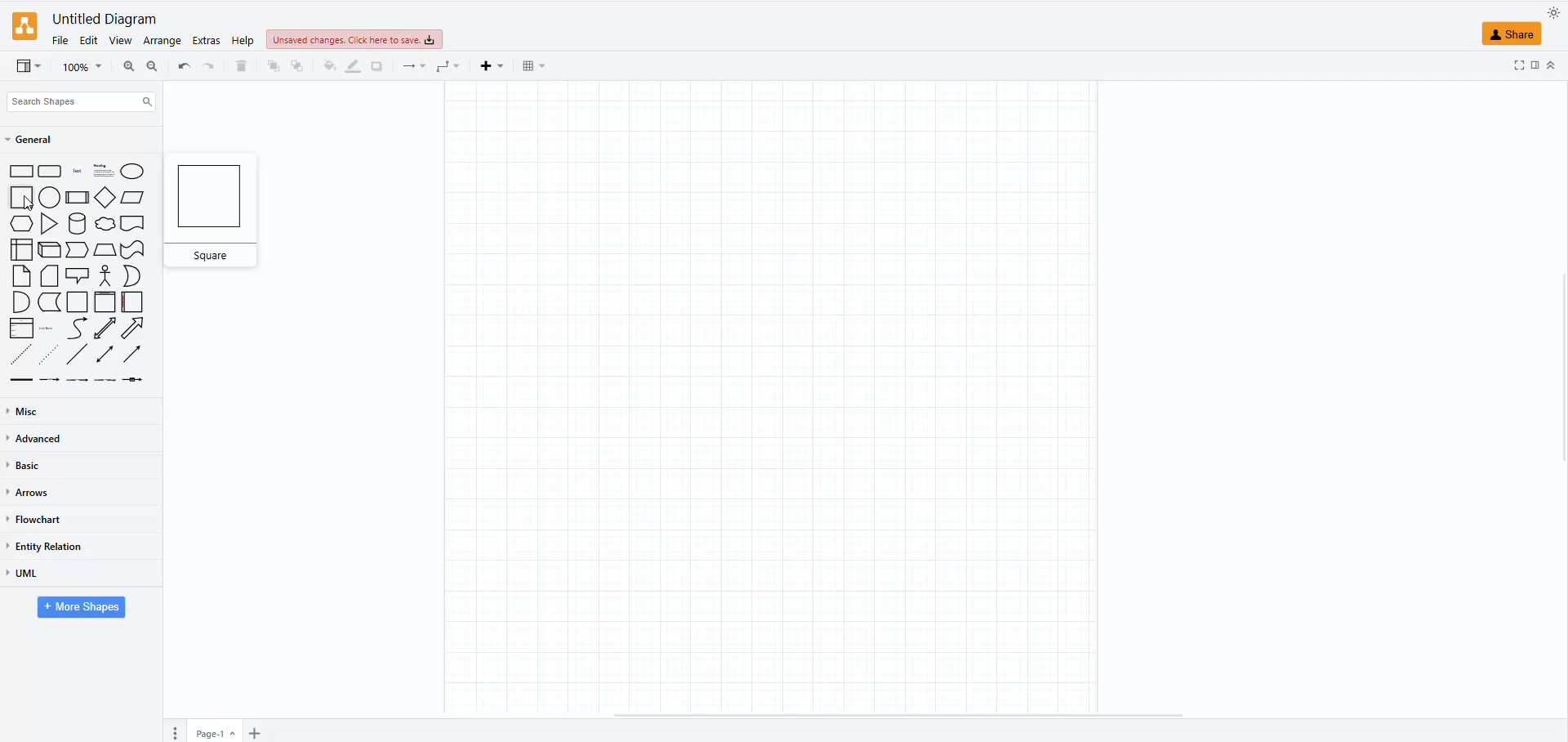  What do you see at coordinates (105, 355) in the screenshot?
I see `bidirectional connector` at bounding box center [105, 355].